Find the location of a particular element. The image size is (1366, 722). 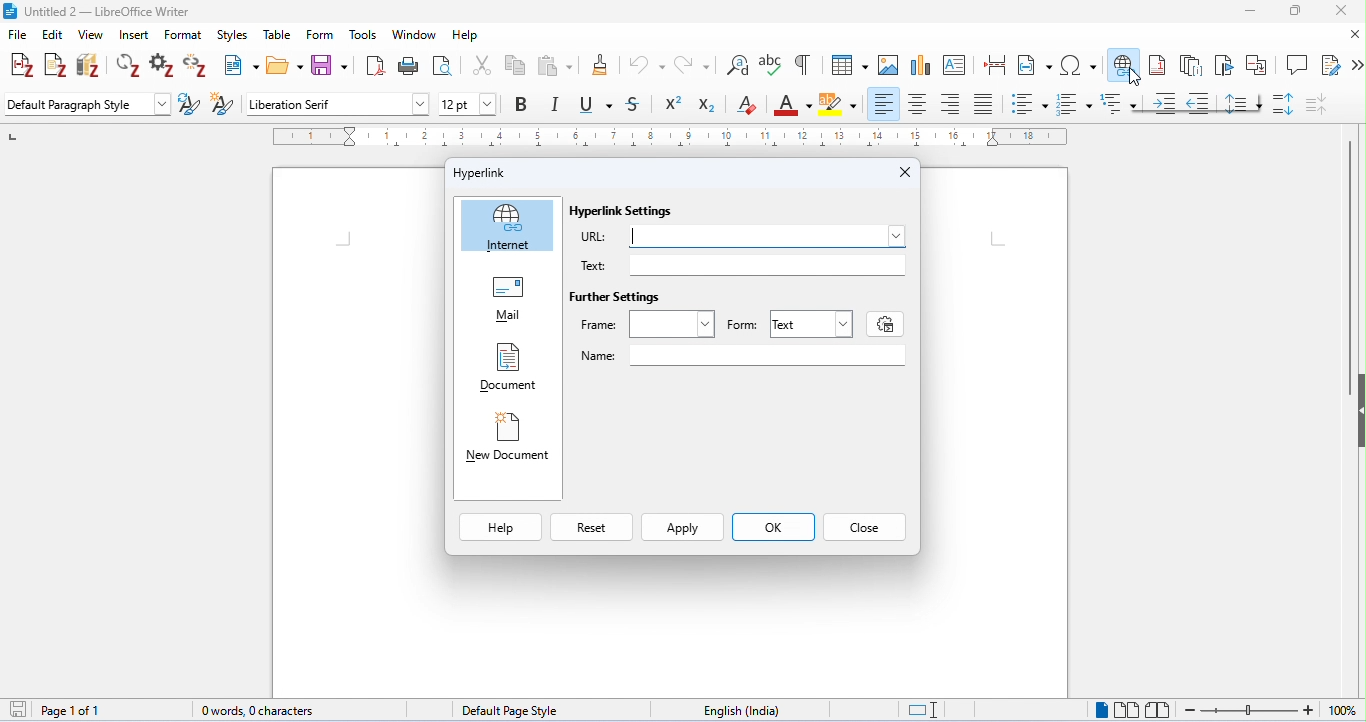

increase indent is located at coordinates (1166, 103).